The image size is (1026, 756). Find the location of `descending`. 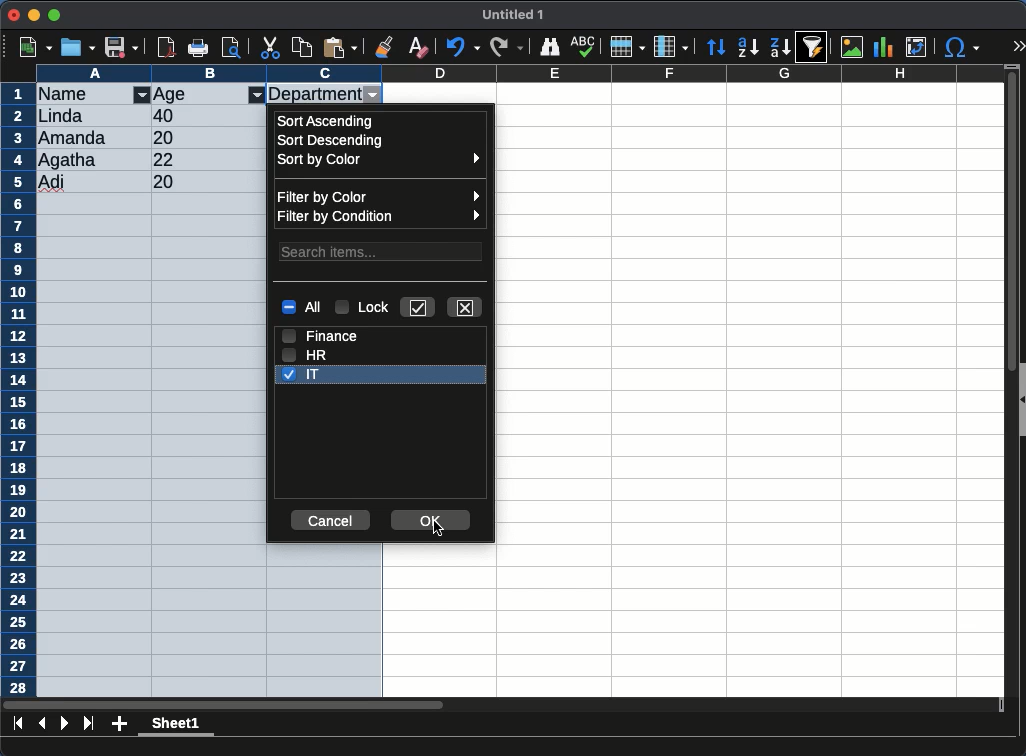

descending is located at coordinates (779, 46).